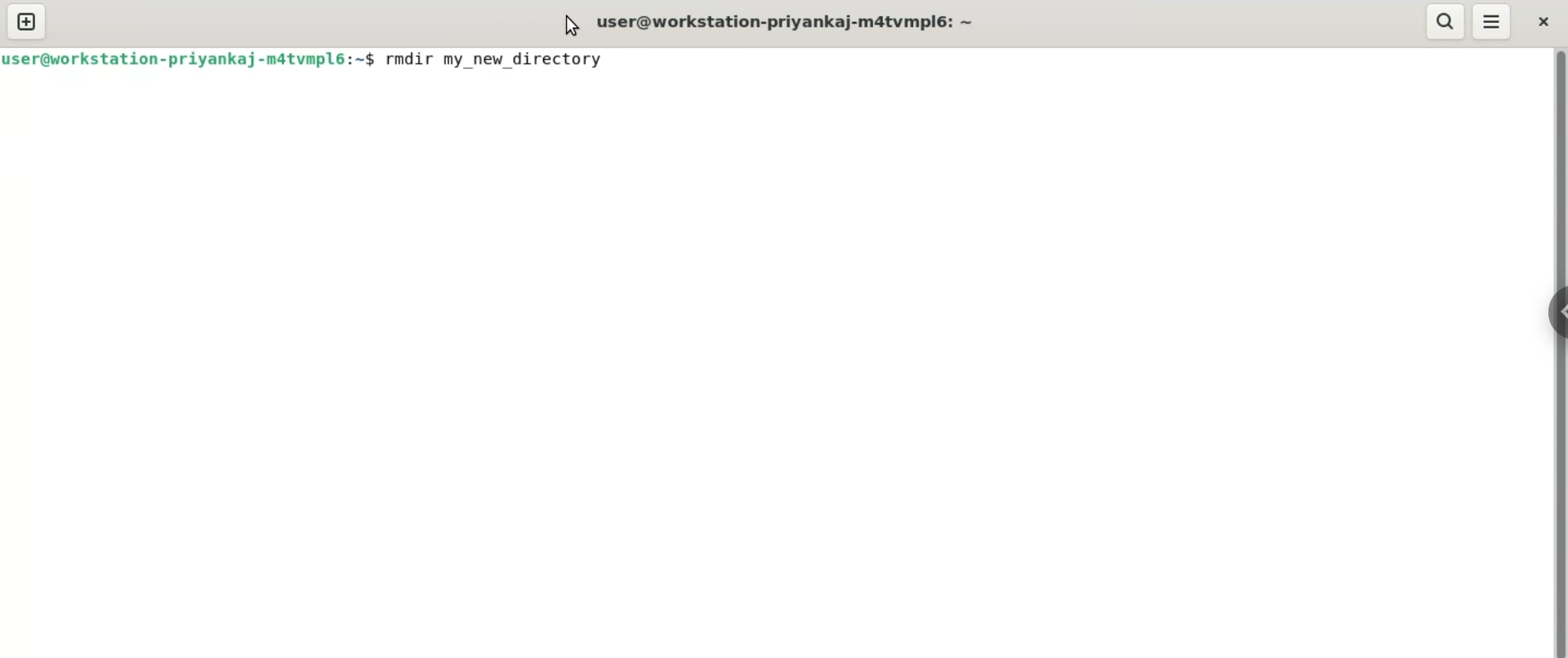  Describe the element at coordinates (791, 20) in the screenshot. I see `user@workstation-priyanka-m4tvmpl6:~` at that location.